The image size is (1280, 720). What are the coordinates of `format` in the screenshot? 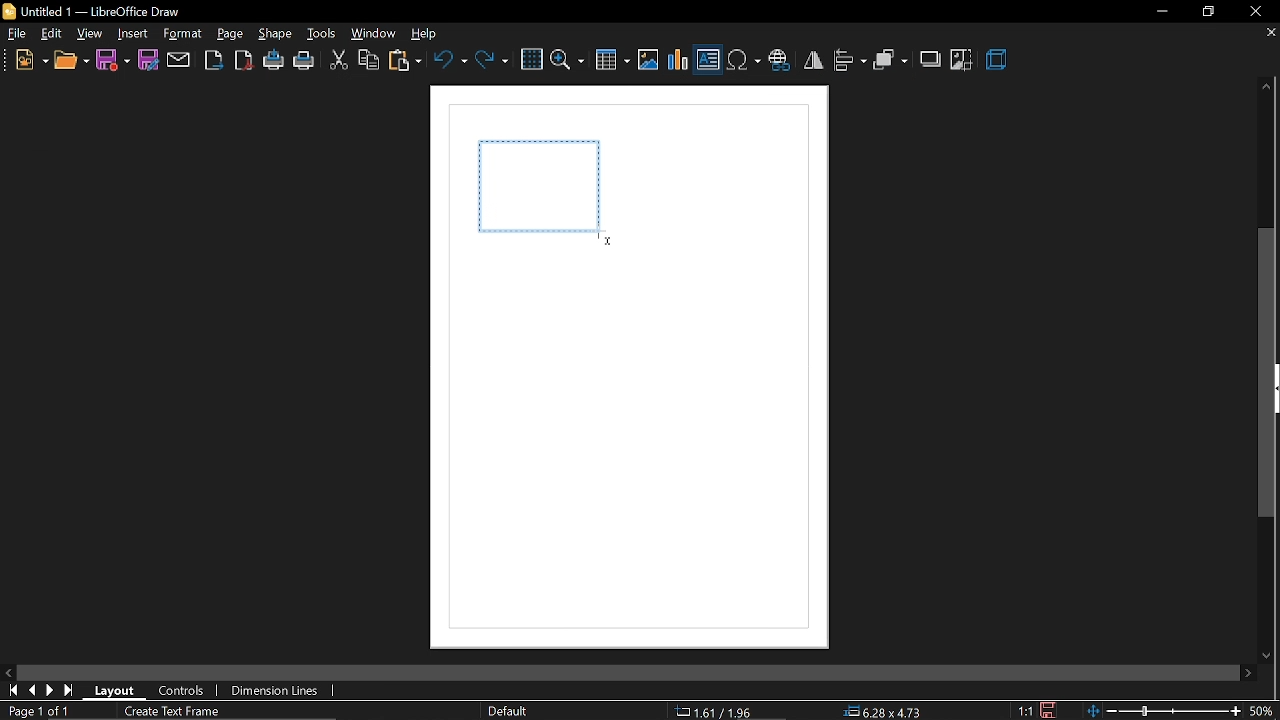 It's located at (182, 33).